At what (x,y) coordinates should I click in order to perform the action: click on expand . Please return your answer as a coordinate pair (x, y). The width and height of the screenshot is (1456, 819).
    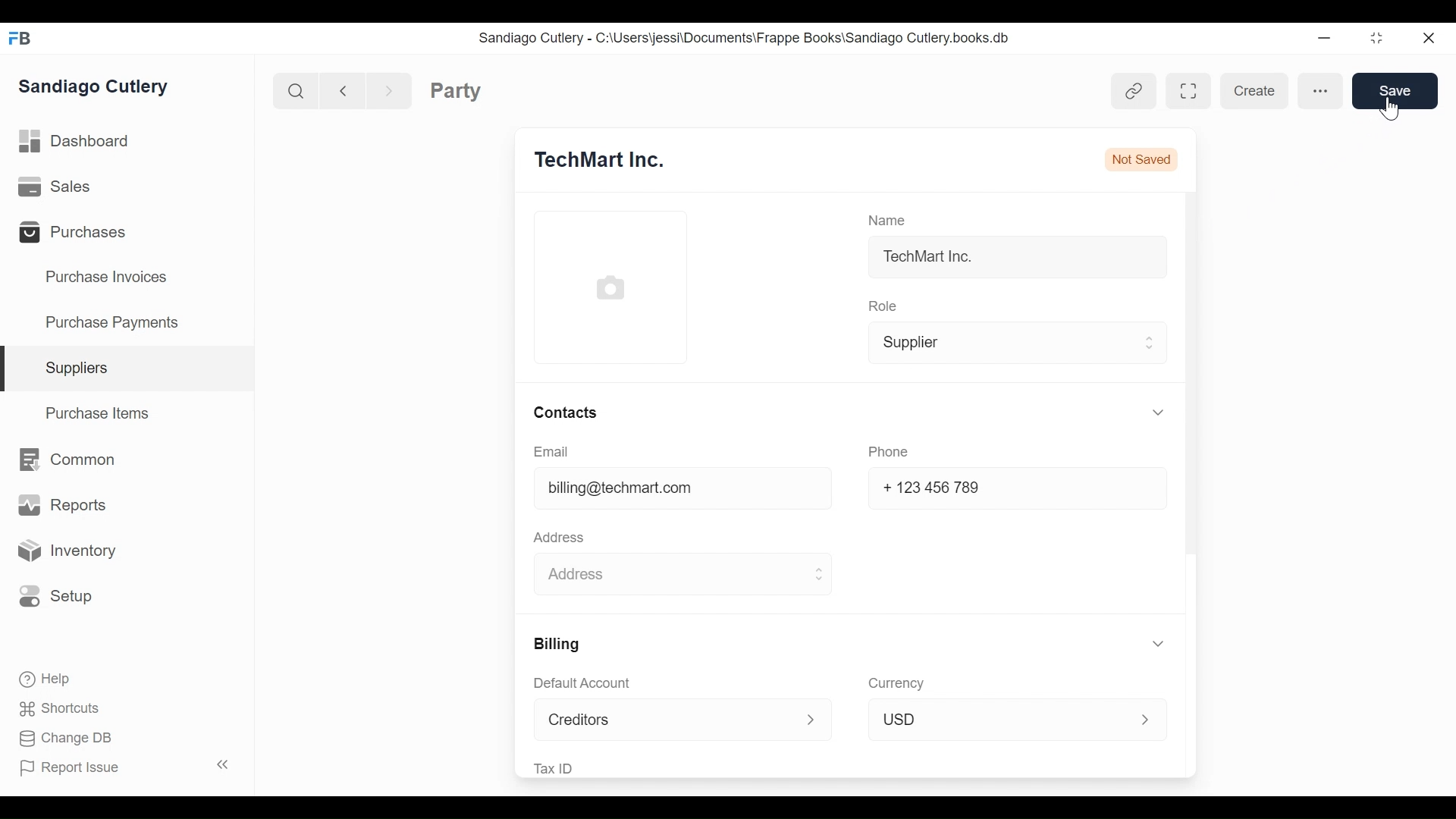
    Looking at the image, I should click on (1147, 415).